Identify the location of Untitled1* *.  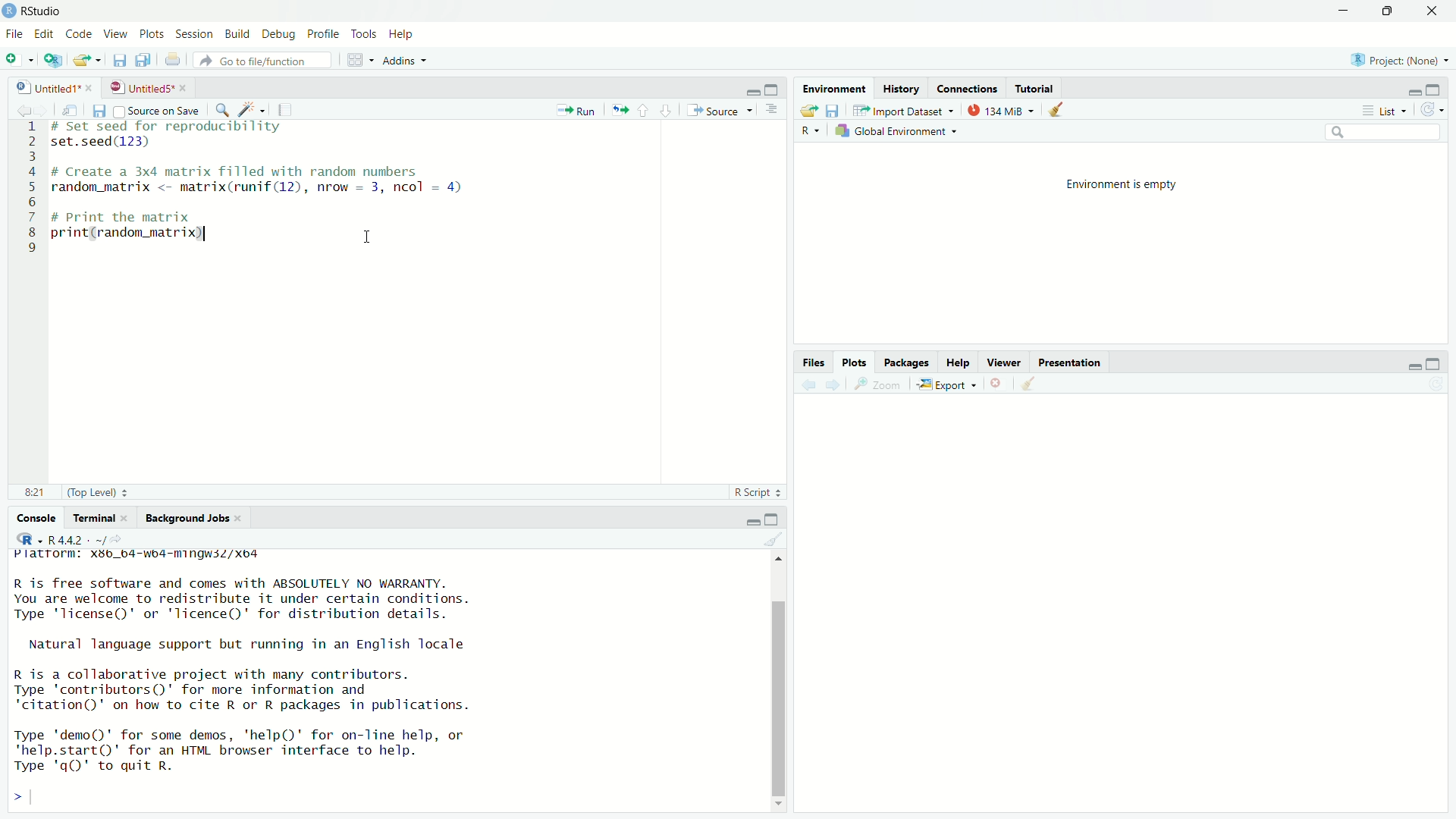
(52, 86).